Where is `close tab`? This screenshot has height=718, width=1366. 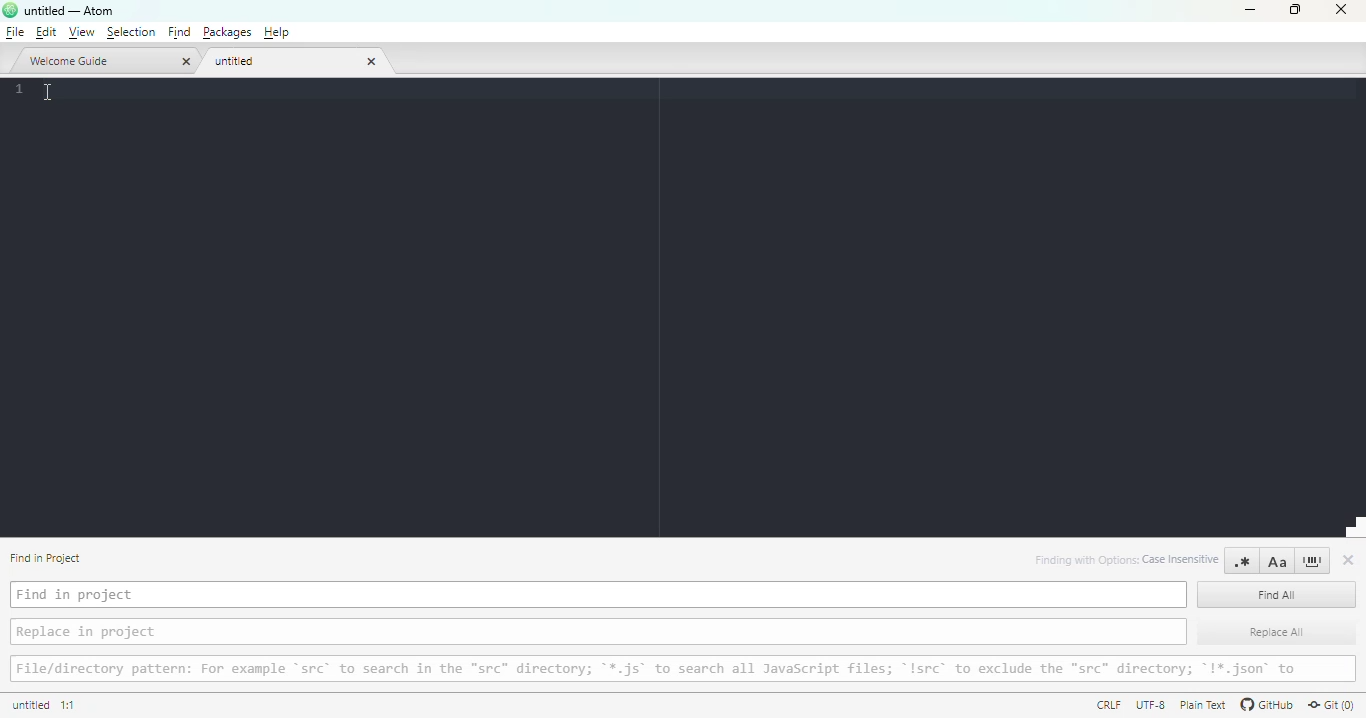 close tab is located at coordinates (184, 62).